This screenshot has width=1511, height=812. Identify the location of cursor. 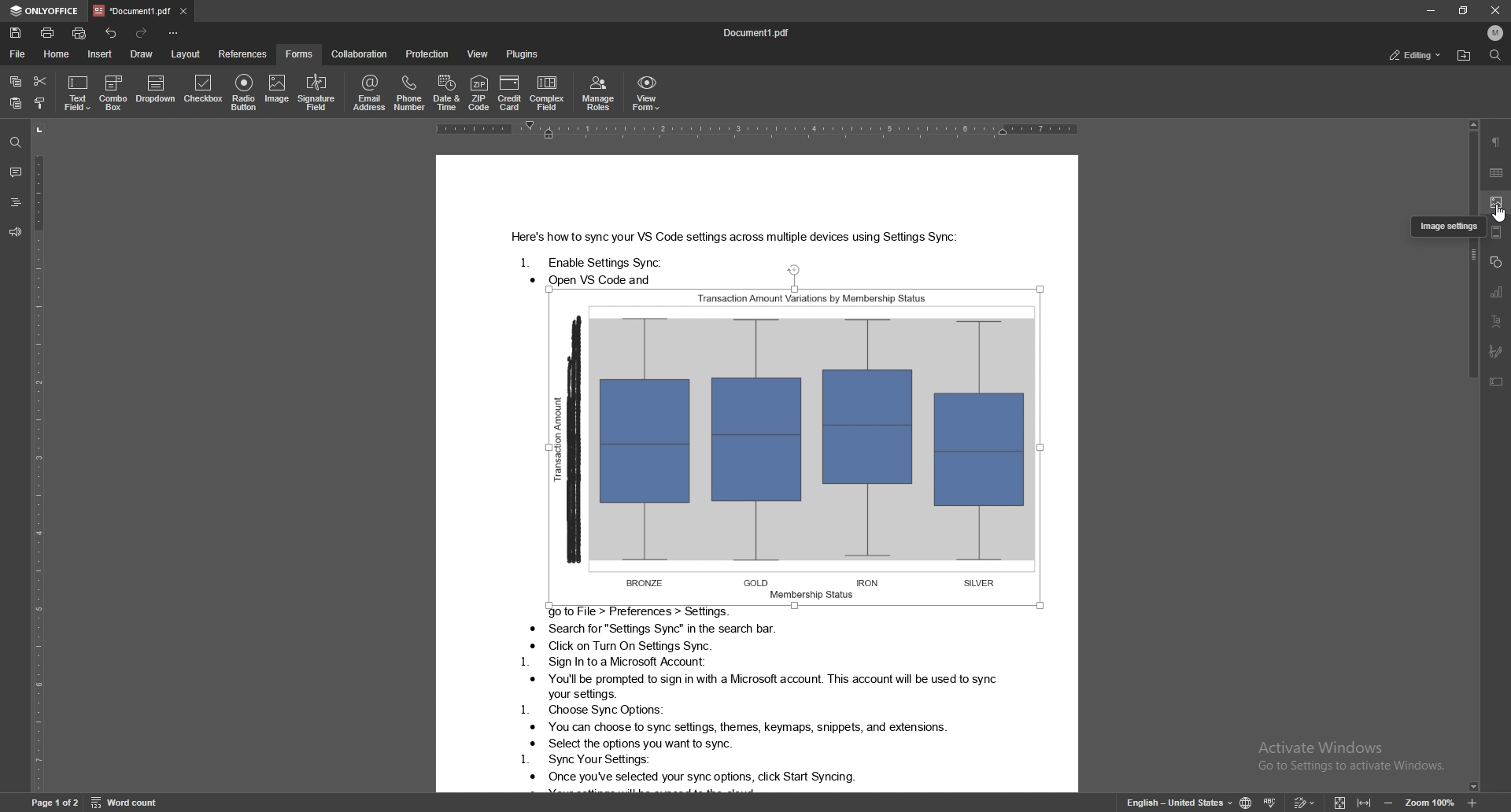
(1498, 216).